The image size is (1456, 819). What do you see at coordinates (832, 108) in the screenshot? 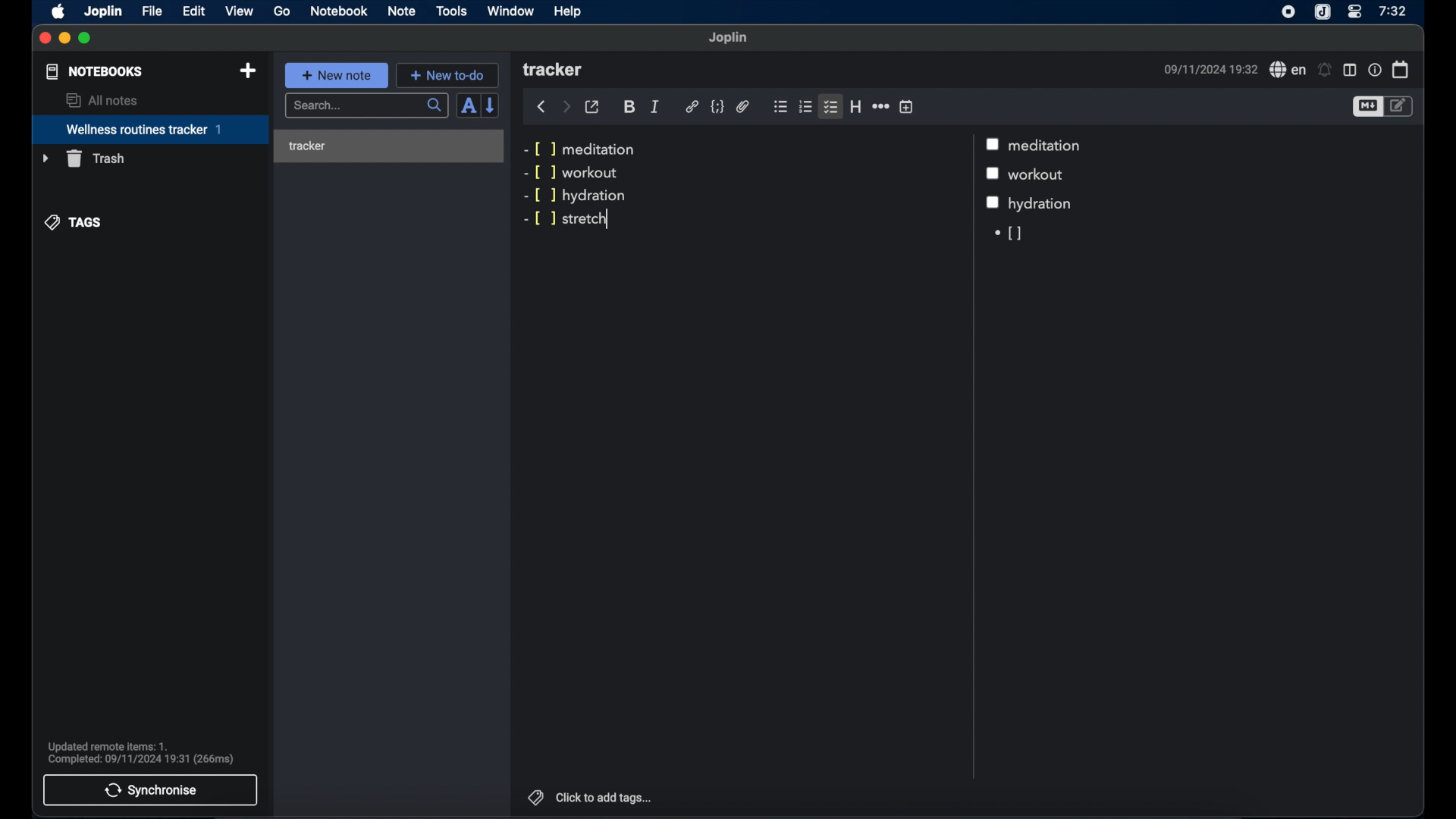
I see `checklist` at bounding box center [832, 108].